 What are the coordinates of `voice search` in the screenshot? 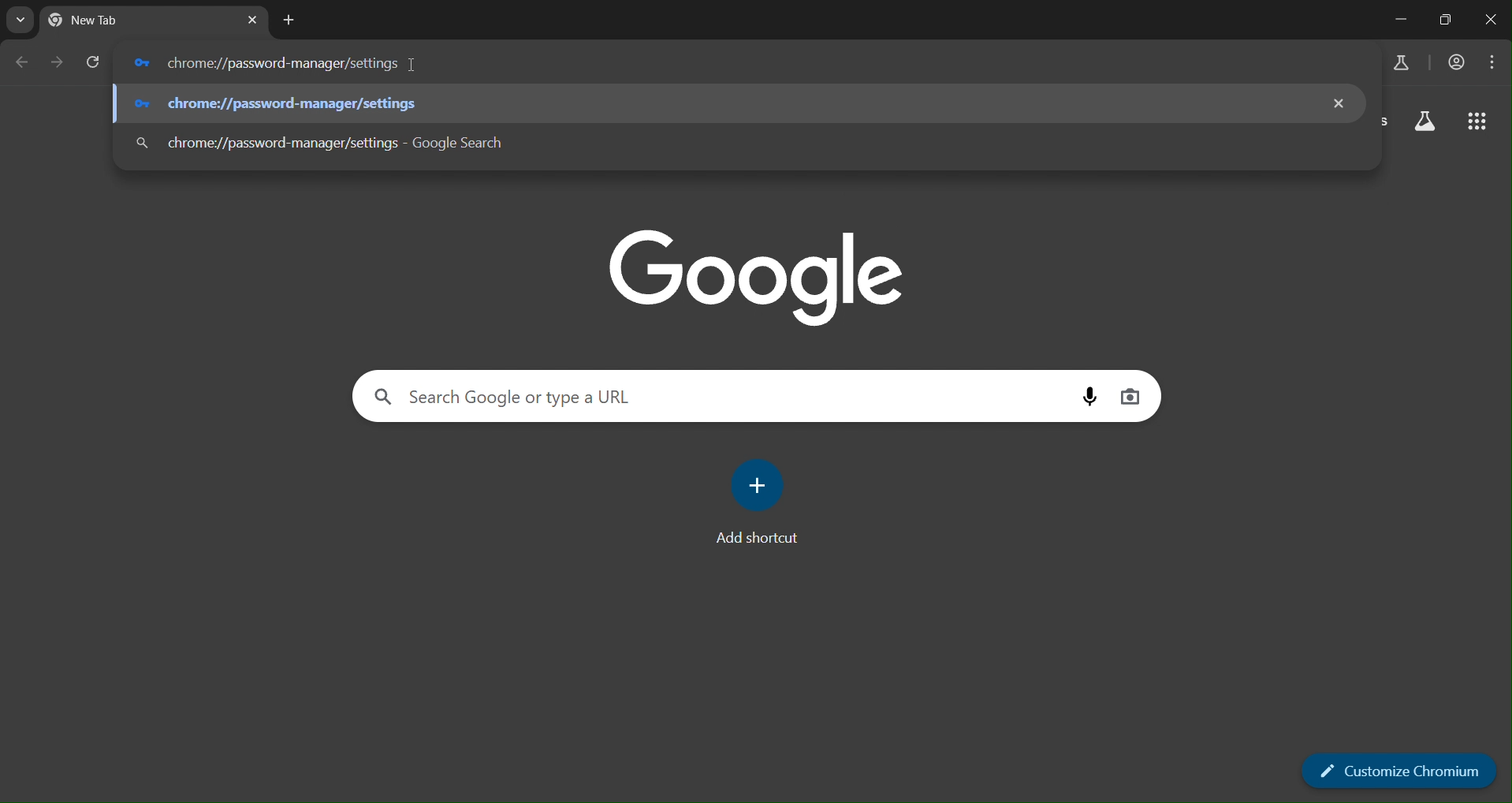 It's located at (1089, 398).